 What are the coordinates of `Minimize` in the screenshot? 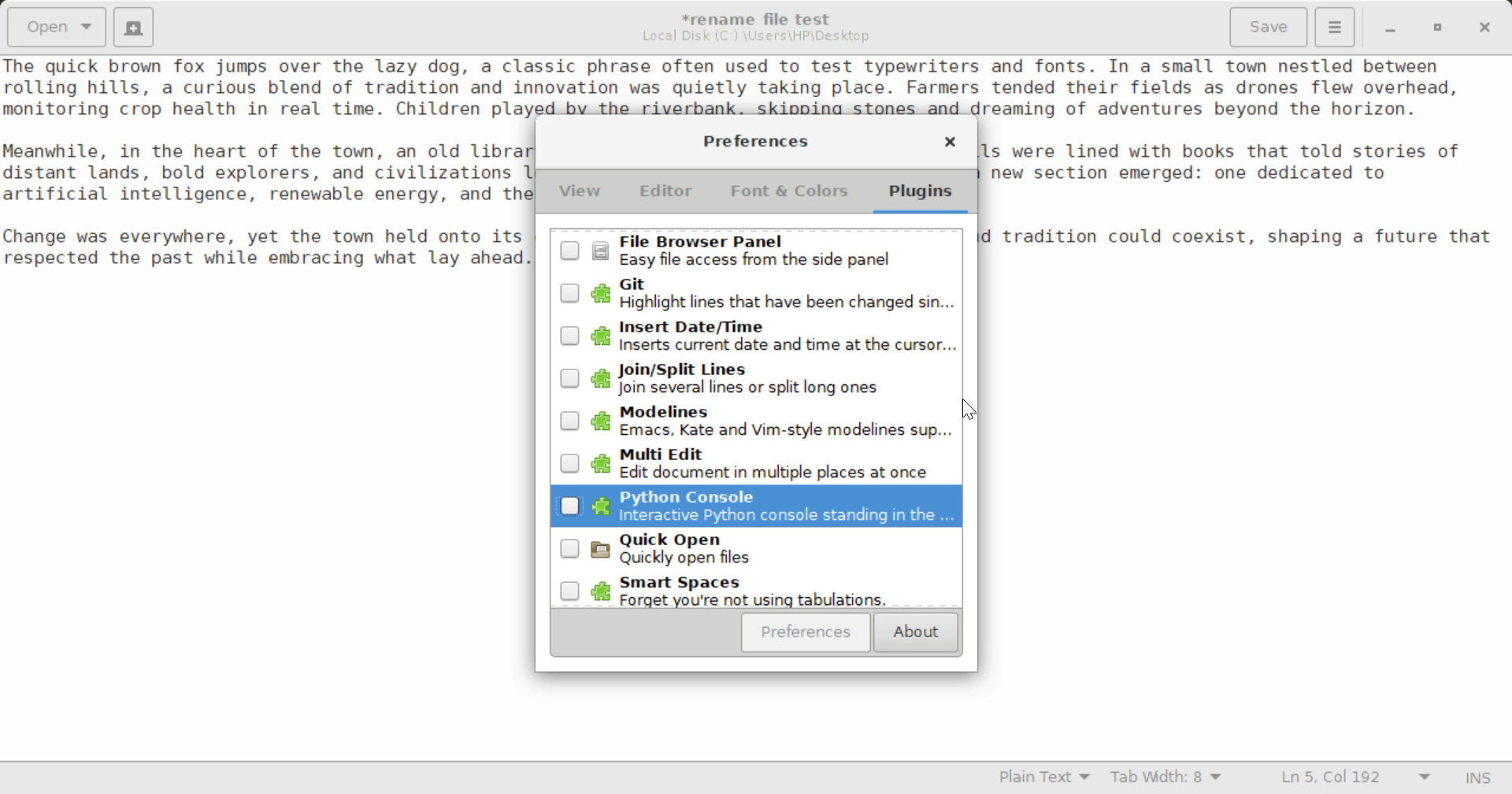 It's located at (1438, 28).